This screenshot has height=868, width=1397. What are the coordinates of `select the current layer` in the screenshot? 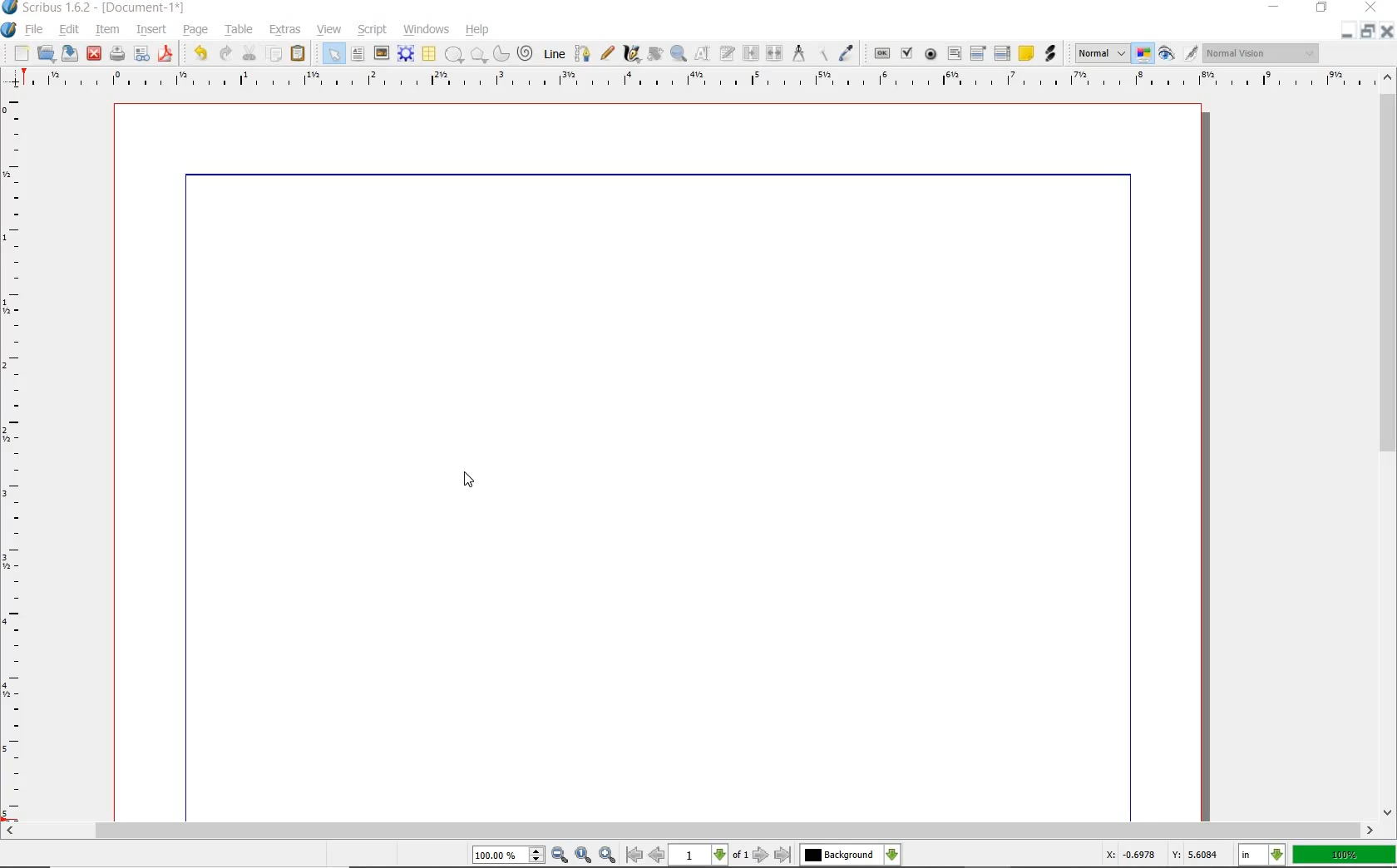 It's located at (892, 855).